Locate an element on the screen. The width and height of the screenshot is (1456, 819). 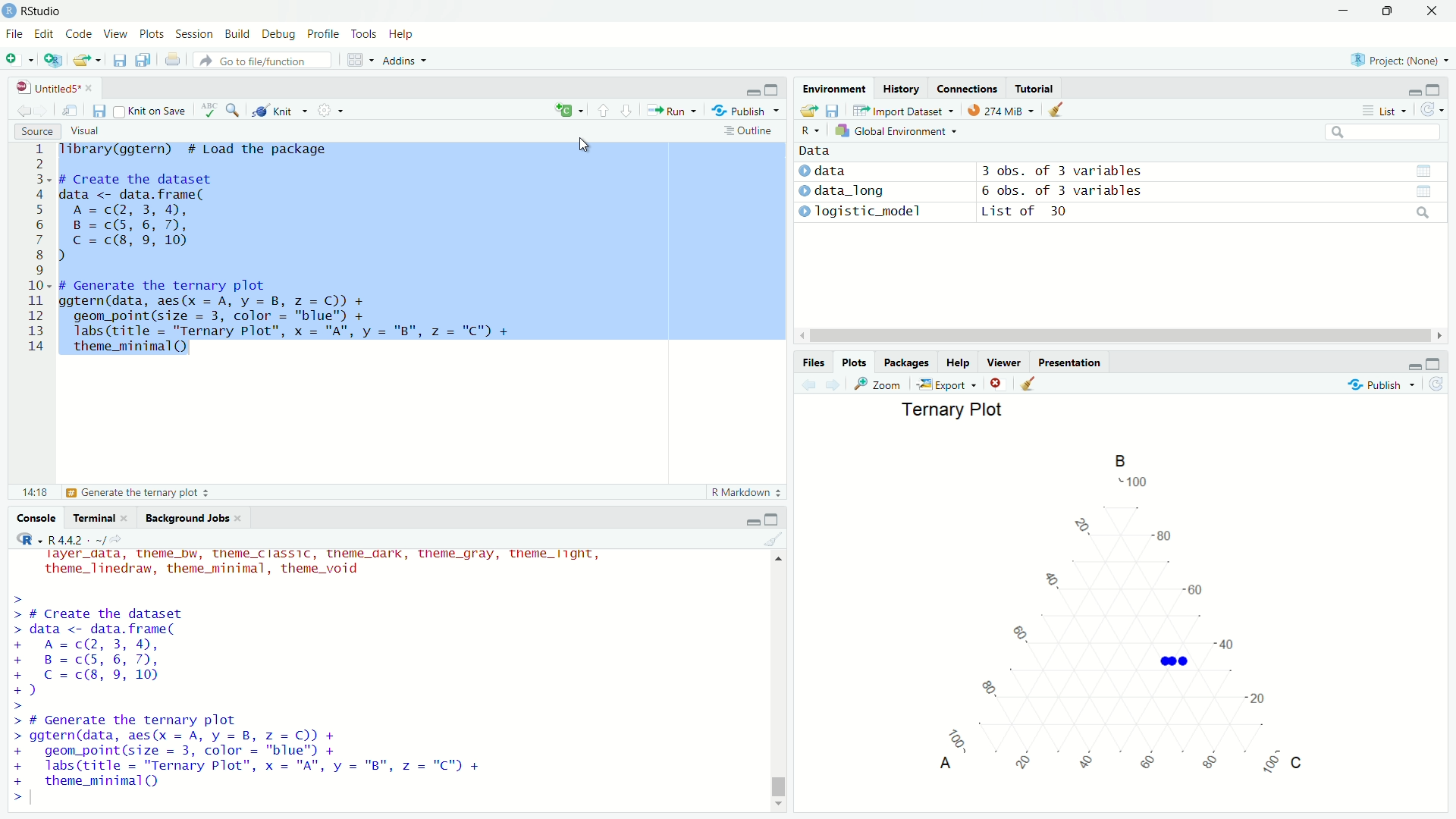
Files is located at coordinates (805, 360).